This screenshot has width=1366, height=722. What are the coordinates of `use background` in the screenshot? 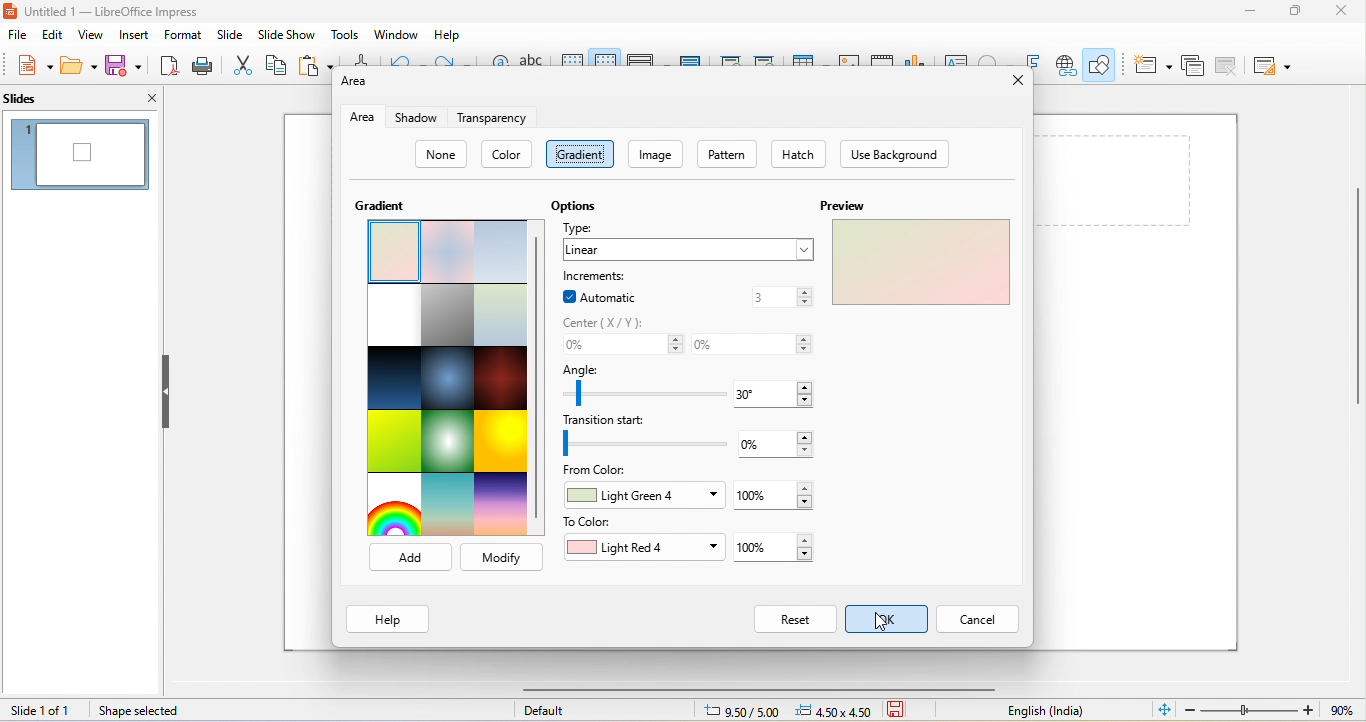 It's located at (896, 155).